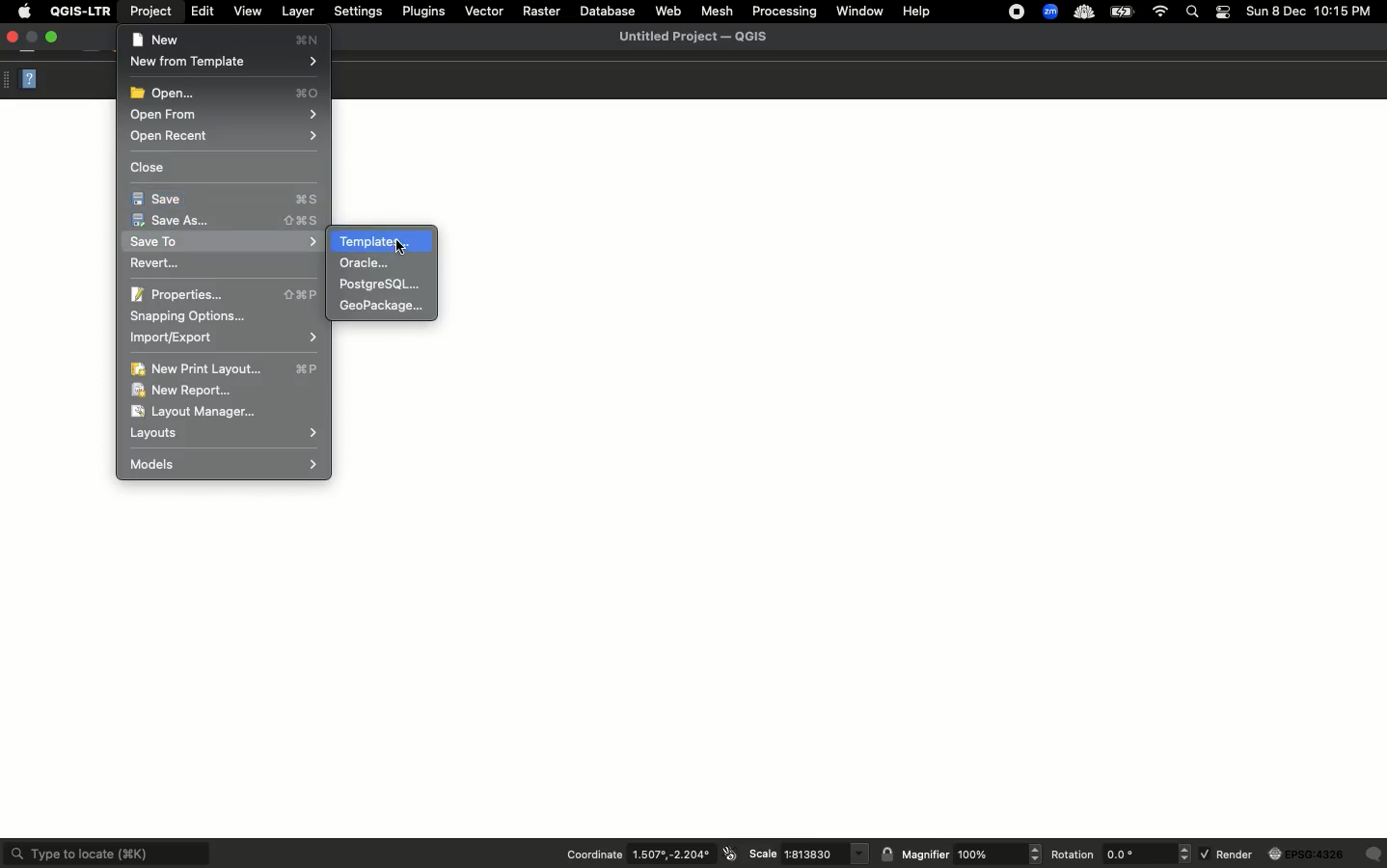  Describe the element at coordinates (593, 854) in the screenshot. I see `Coordination` at that location.